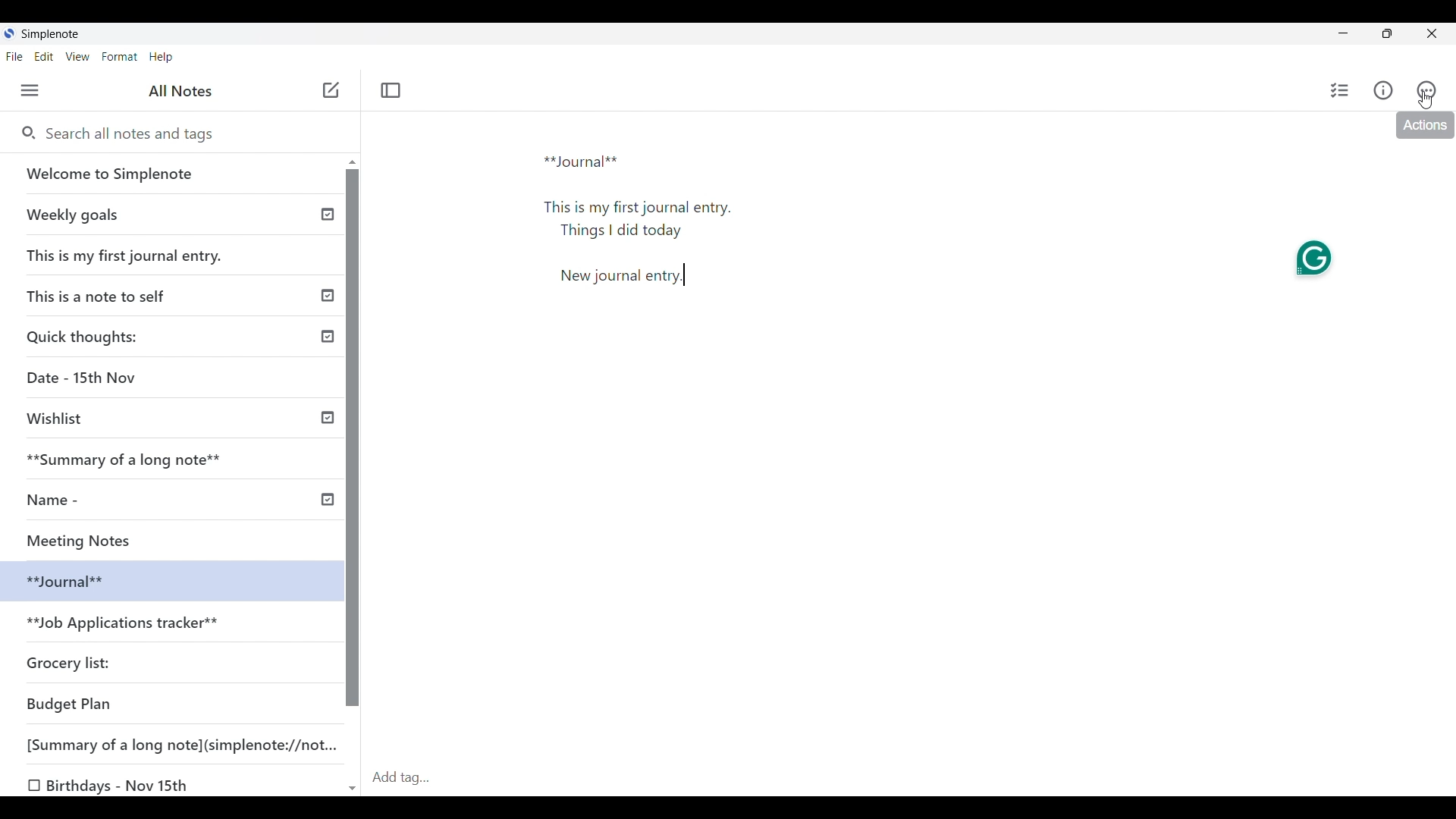 The width and height of the screenshot is (1456, 819). I want to click on Wishlist, so click(61, 419).